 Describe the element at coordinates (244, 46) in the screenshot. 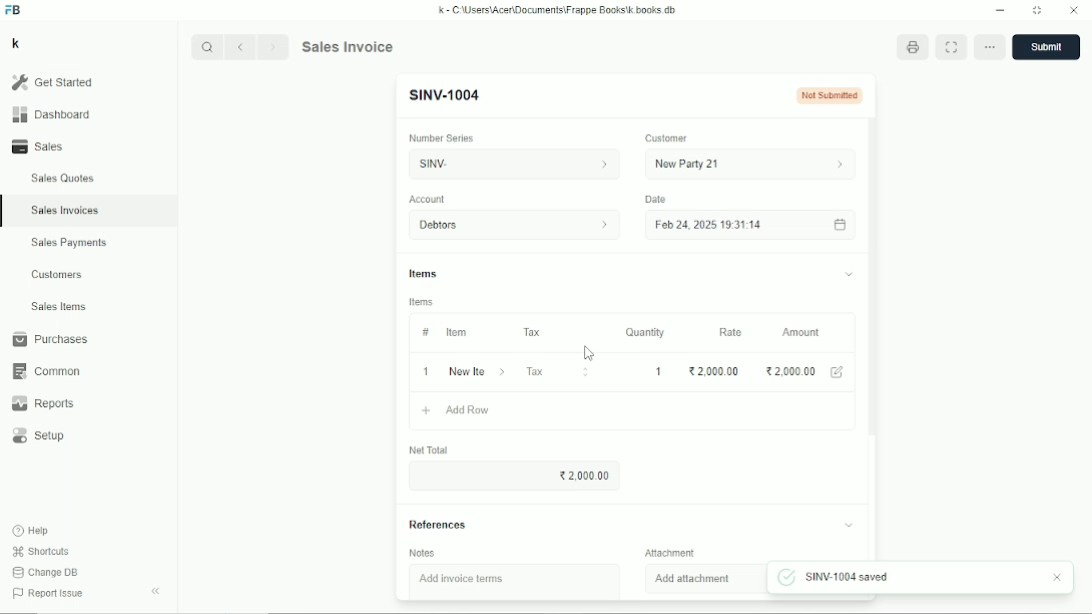

I see `Backward` at that location.